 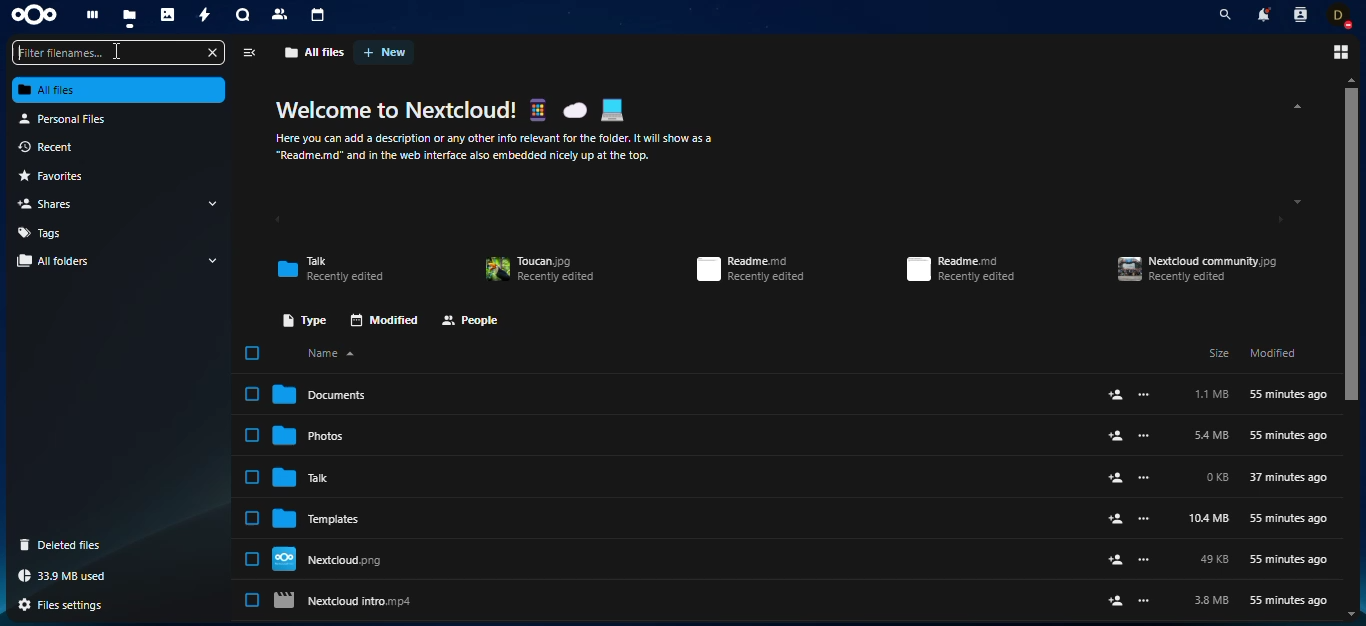 What do you see at coordinates (1338, 52) in the screenshot?
I see `view` at bounding box center [1338, 52].